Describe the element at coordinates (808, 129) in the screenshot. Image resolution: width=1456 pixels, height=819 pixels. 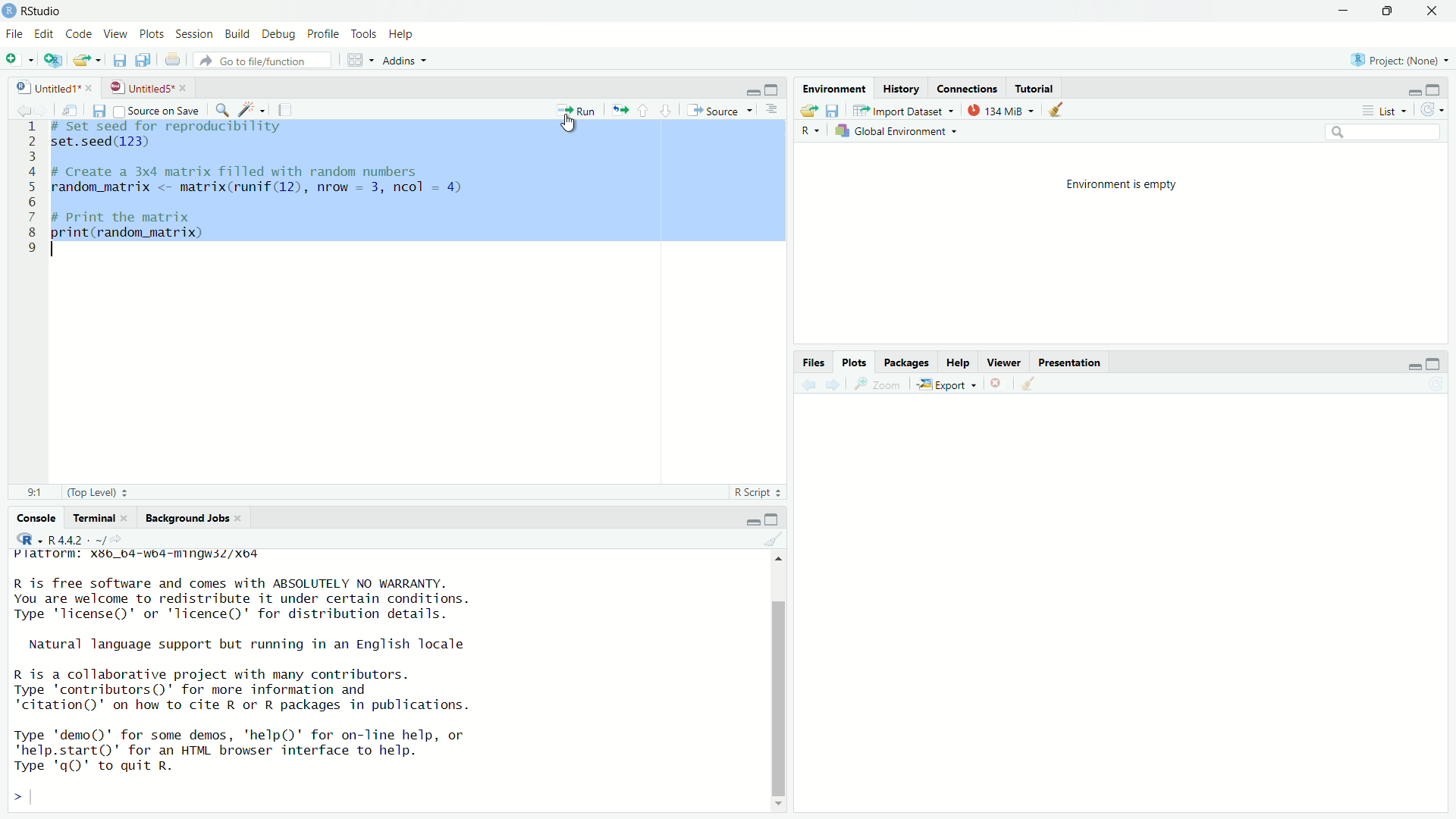
I see `R ~` at that location.